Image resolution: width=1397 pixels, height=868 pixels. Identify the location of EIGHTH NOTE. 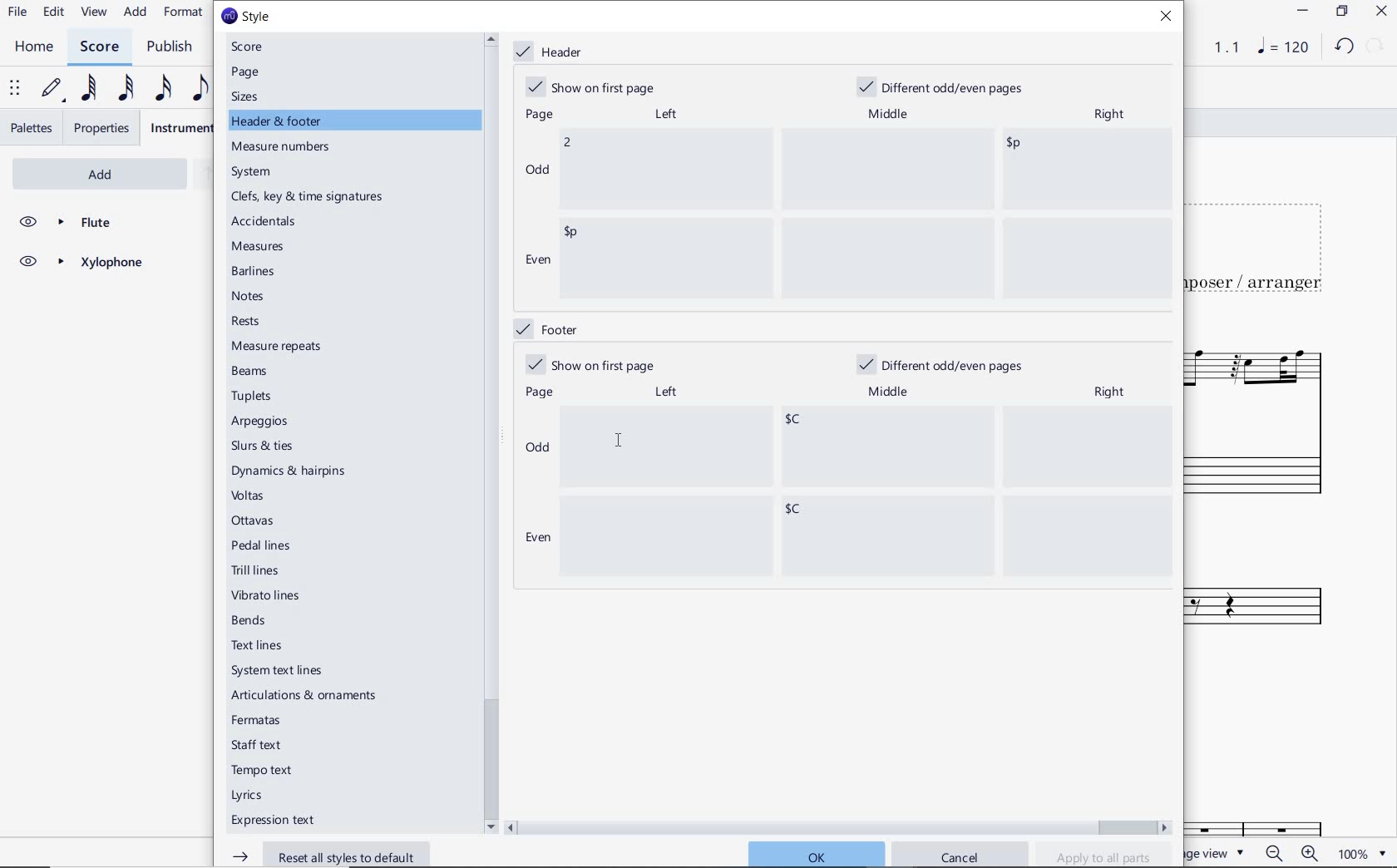
(200, 87).